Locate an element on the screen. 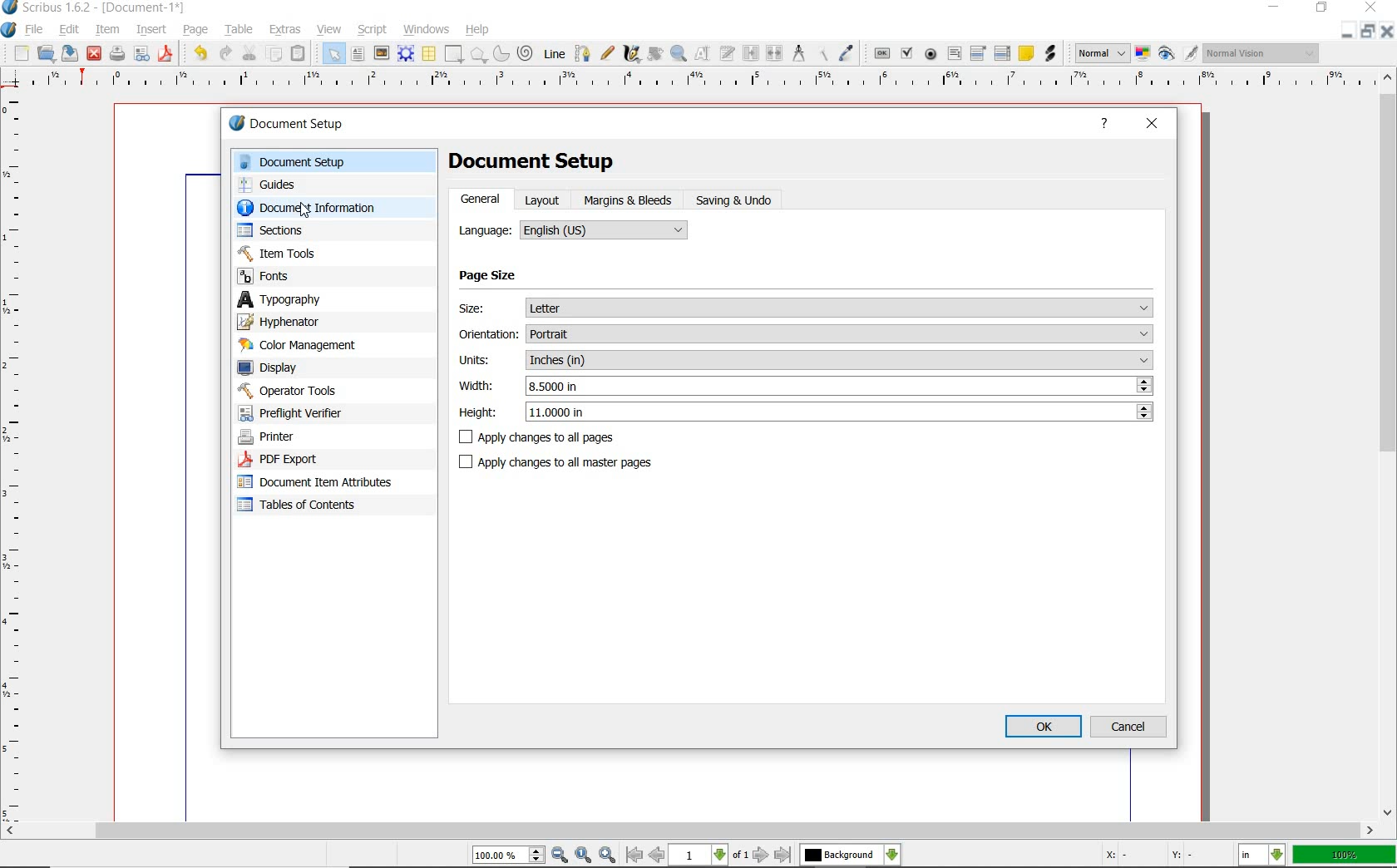 This screenshot has height=868, width=1397. shape is located at coordinates (478, 54).